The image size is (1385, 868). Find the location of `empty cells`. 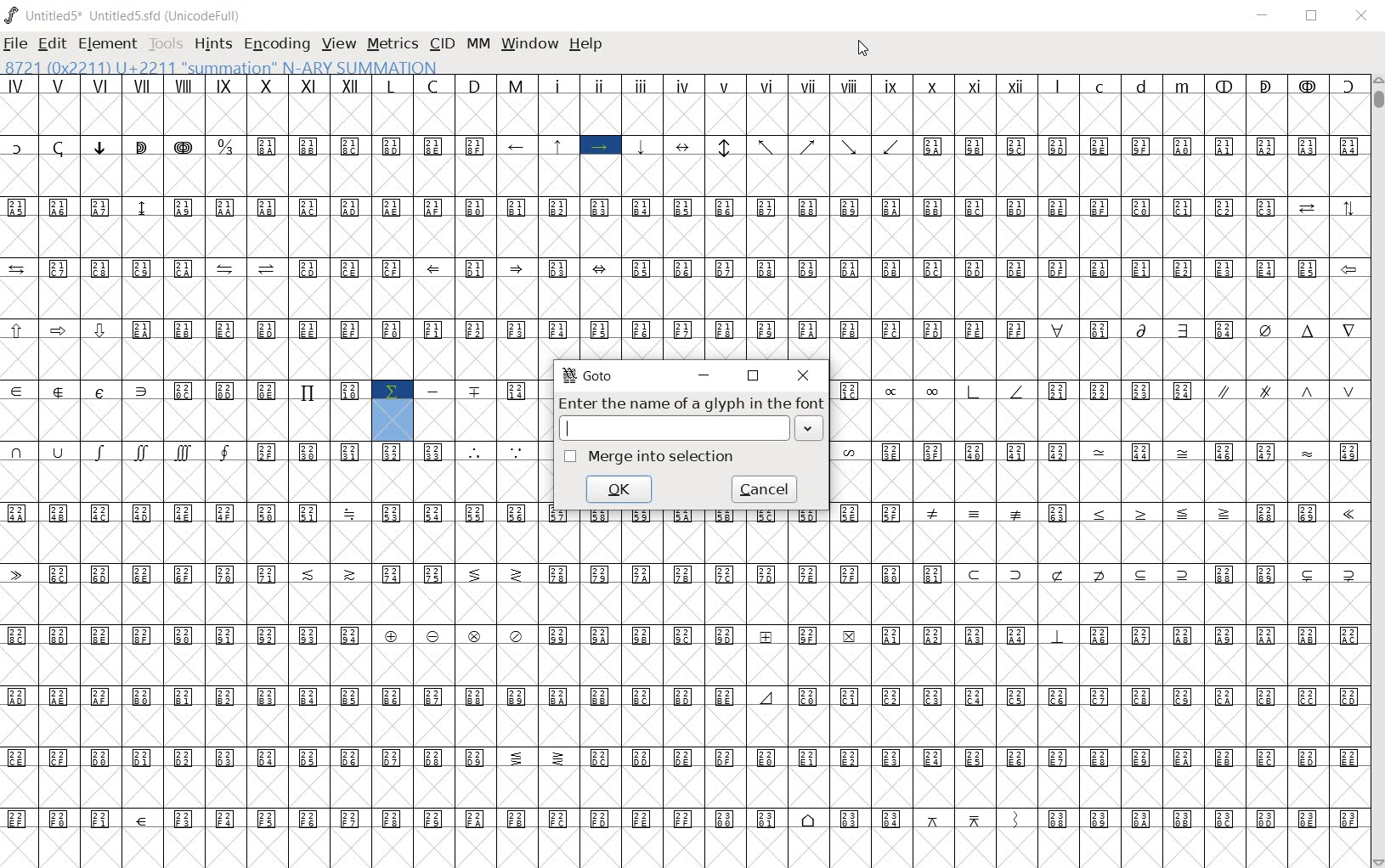

empty cells is located at coordinates (279, 482).